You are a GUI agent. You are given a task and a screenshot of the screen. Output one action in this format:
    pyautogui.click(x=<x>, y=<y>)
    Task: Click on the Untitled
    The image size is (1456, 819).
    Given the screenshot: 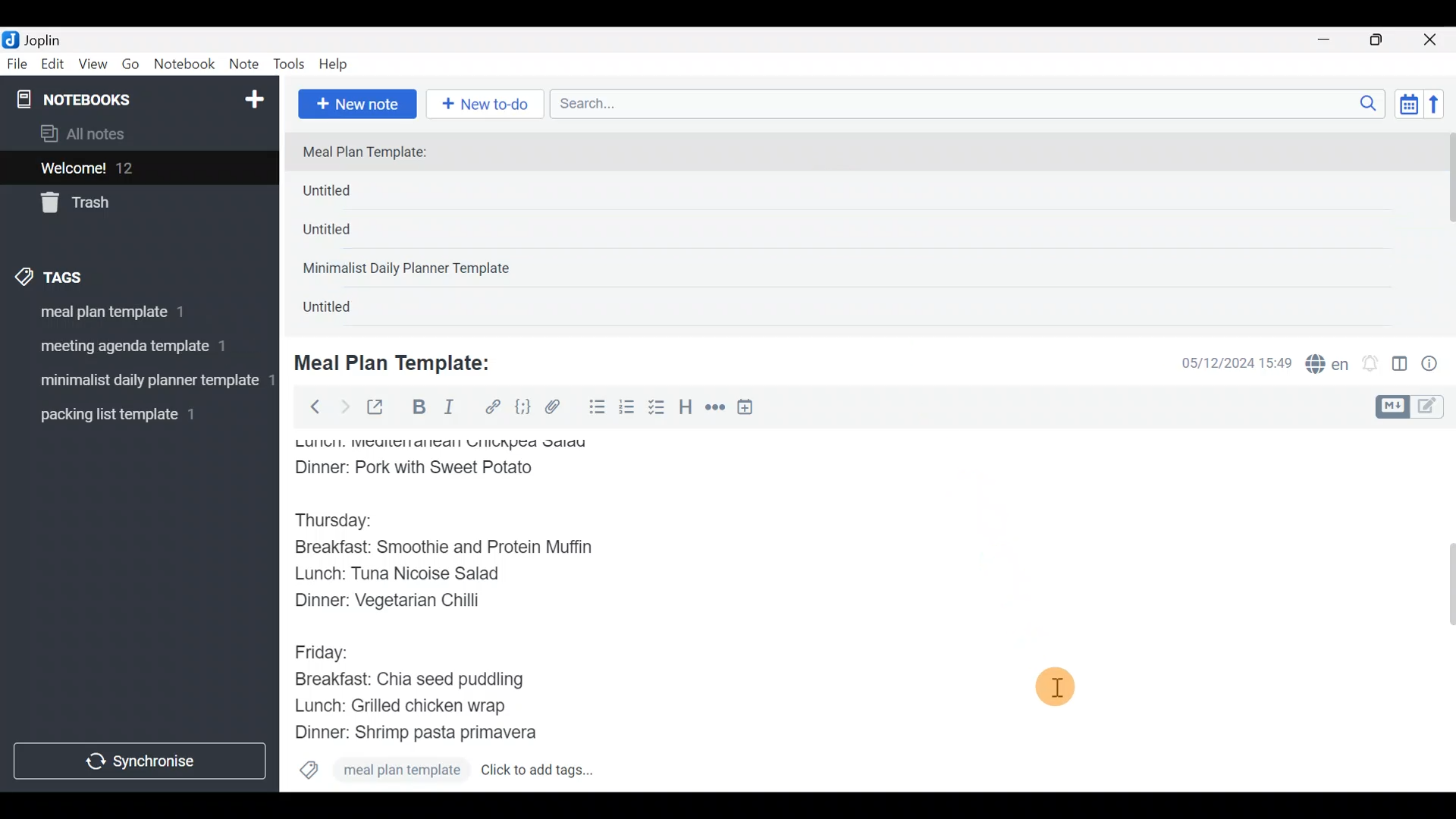 What is the action you would take?
    pyautogui.click(x=352, y=194)
    